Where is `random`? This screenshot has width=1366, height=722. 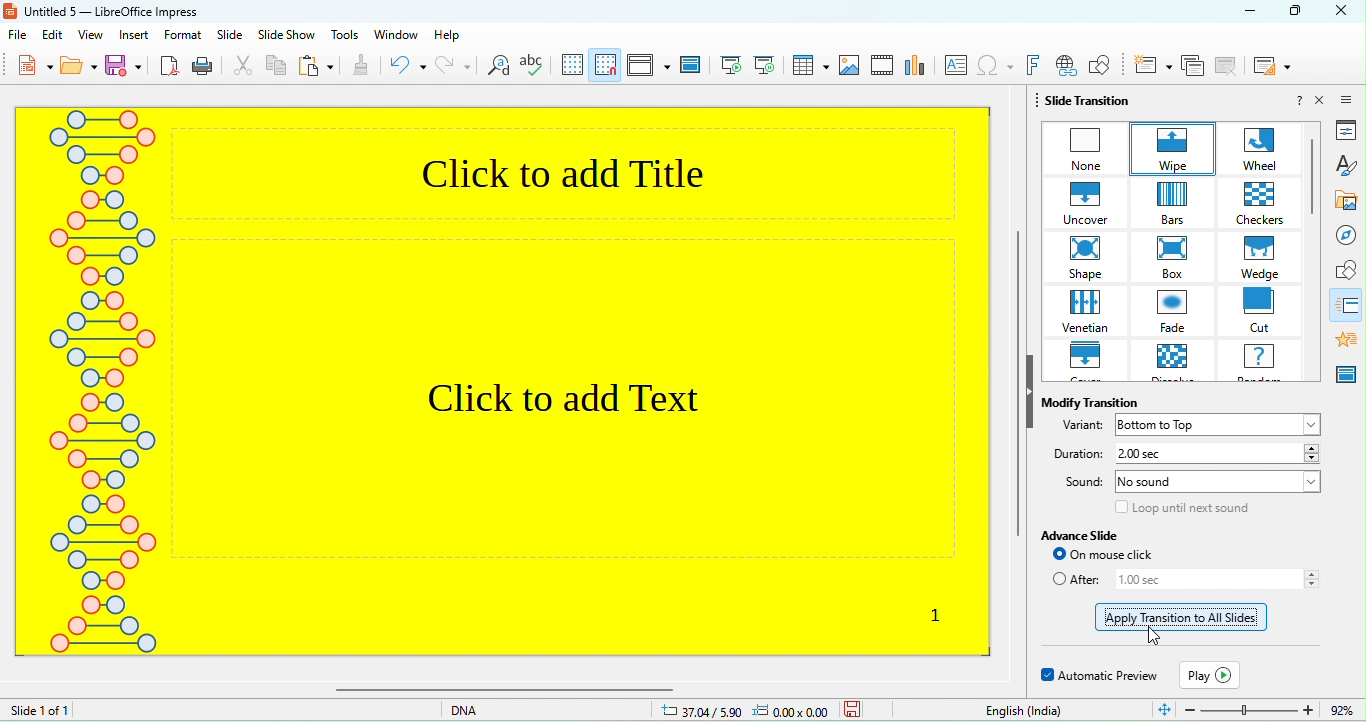
random is located at coordinates (1263, 361).